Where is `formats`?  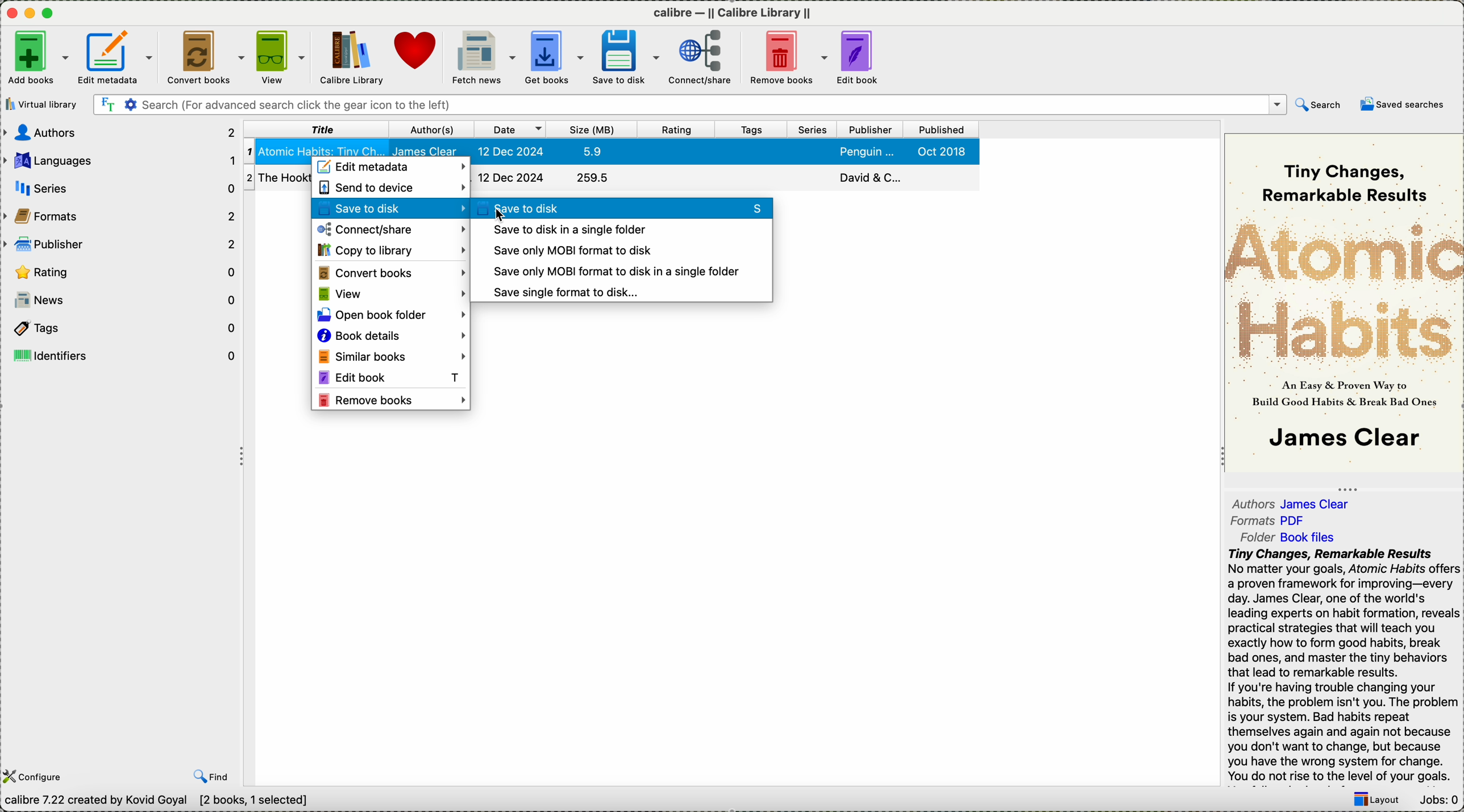
formats is located at coordinates (122, 216).